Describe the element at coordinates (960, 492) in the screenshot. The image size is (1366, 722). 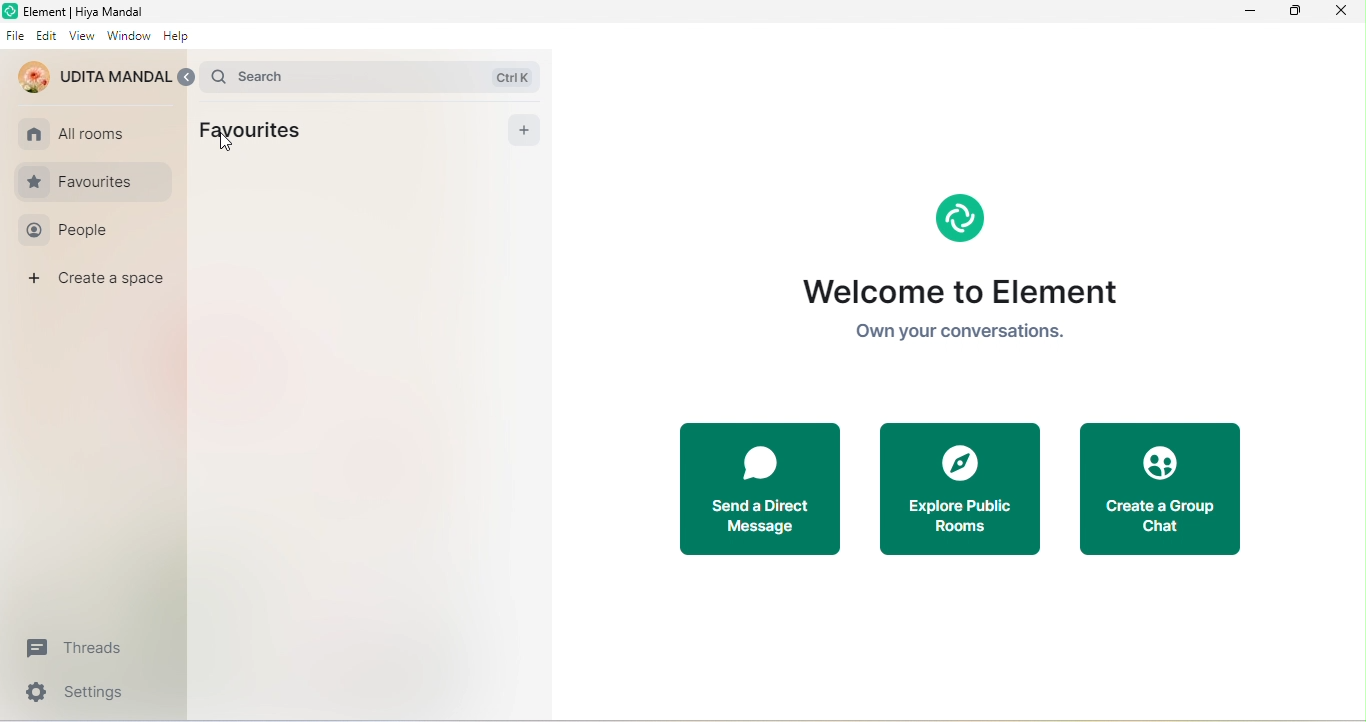
I see `explore public rooms` at that location.